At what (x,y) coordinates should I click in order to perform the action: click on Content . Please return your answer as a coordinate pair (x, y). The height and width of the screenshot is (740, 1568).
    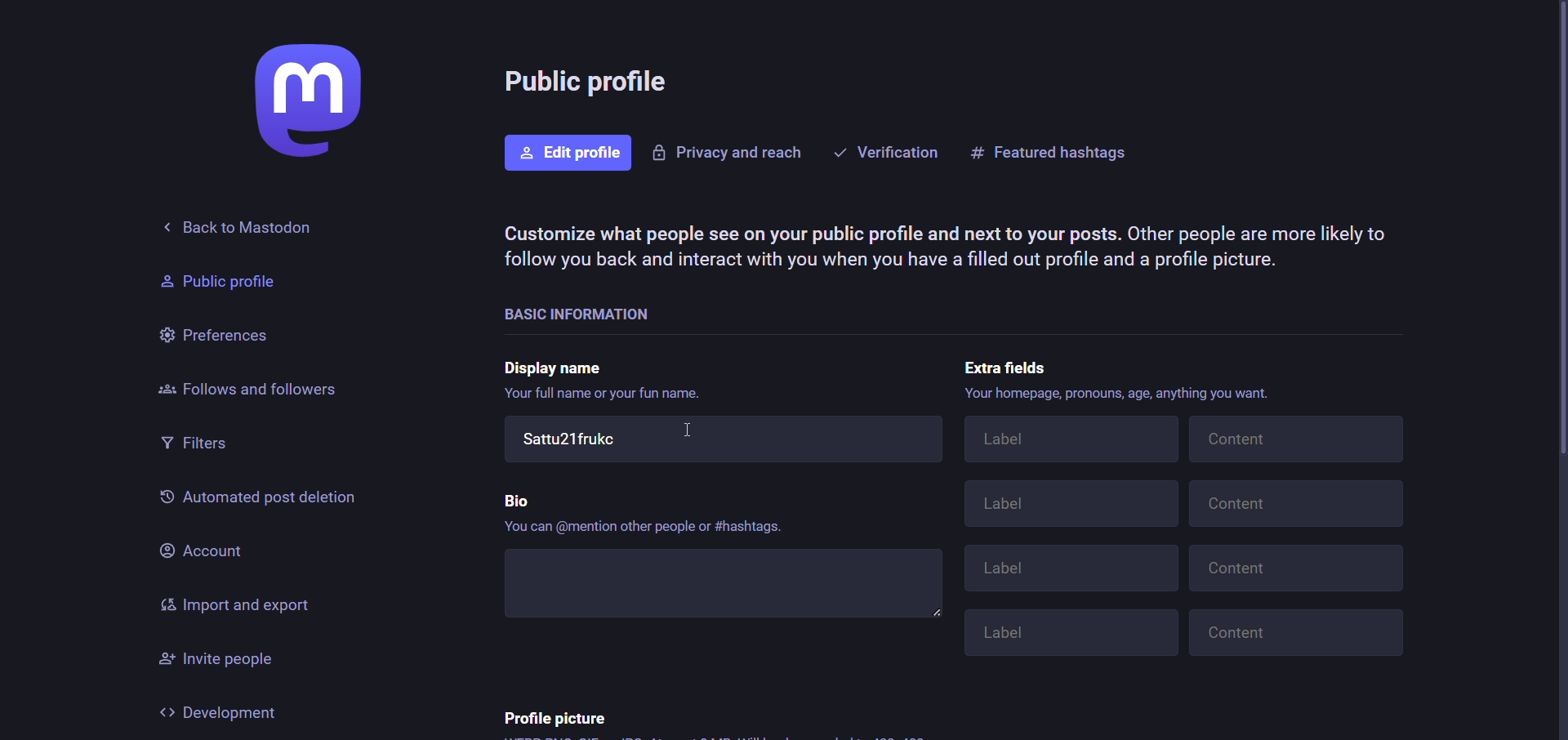
    Looking at the image, I should click on (1295, 569).